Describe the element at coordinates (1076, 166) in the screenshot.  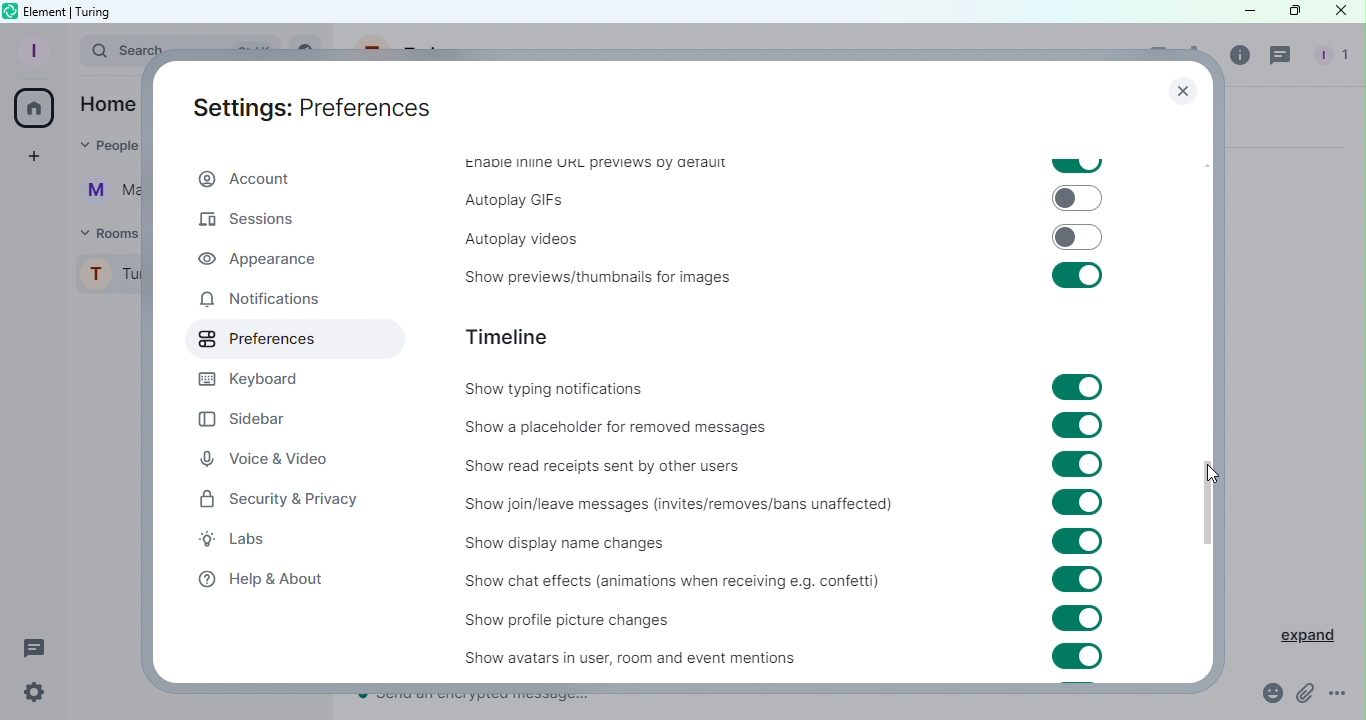
I see `Toggle` at that location.